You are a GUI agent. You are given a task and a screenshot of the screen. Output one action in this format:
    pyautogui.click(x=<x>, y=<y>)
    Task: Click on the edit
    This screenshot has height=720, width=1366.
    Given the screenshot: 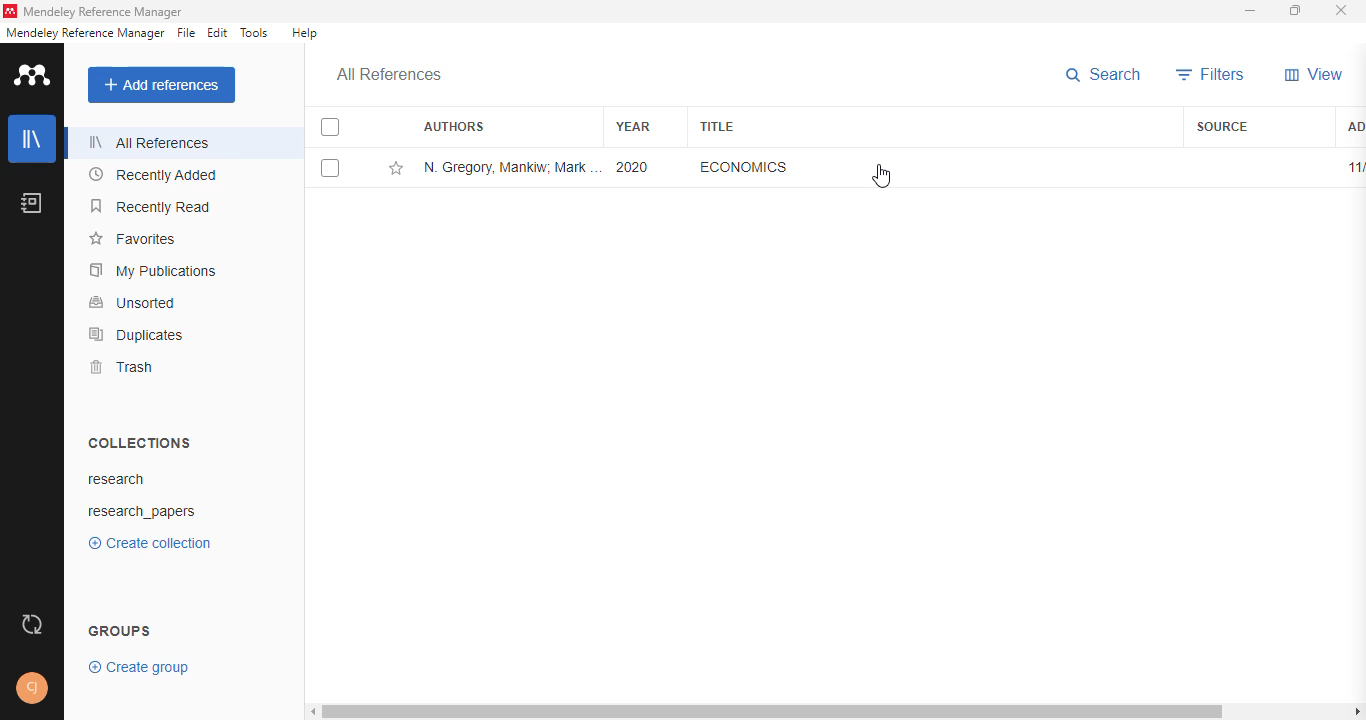 What is the action you would take?
    pyautogui.click(x=219, y=32)
    